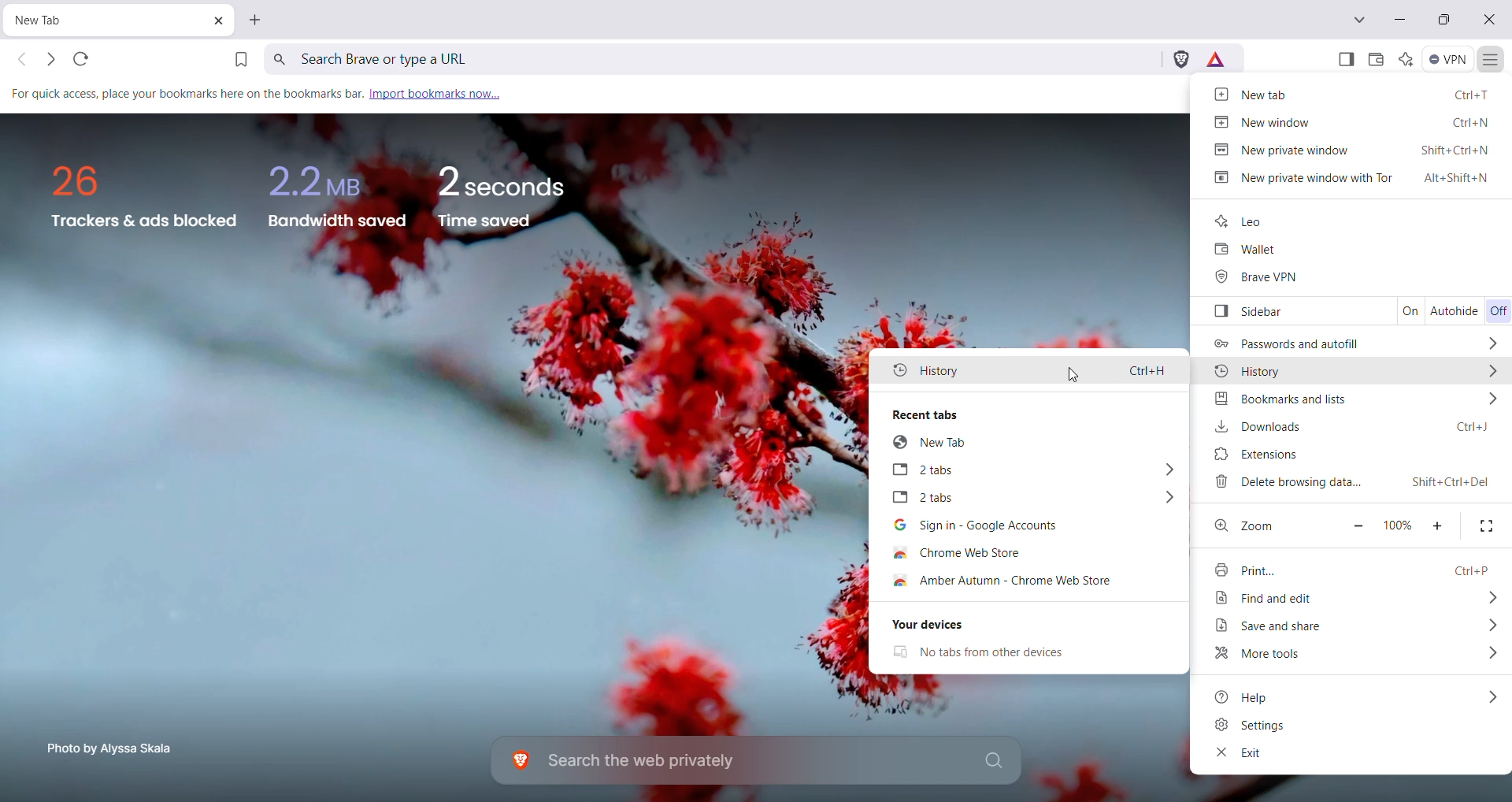  What do you see at coordinates (1032, 444) in the screenshot?
I see `NewTab` at bounding box center [1032, 444].